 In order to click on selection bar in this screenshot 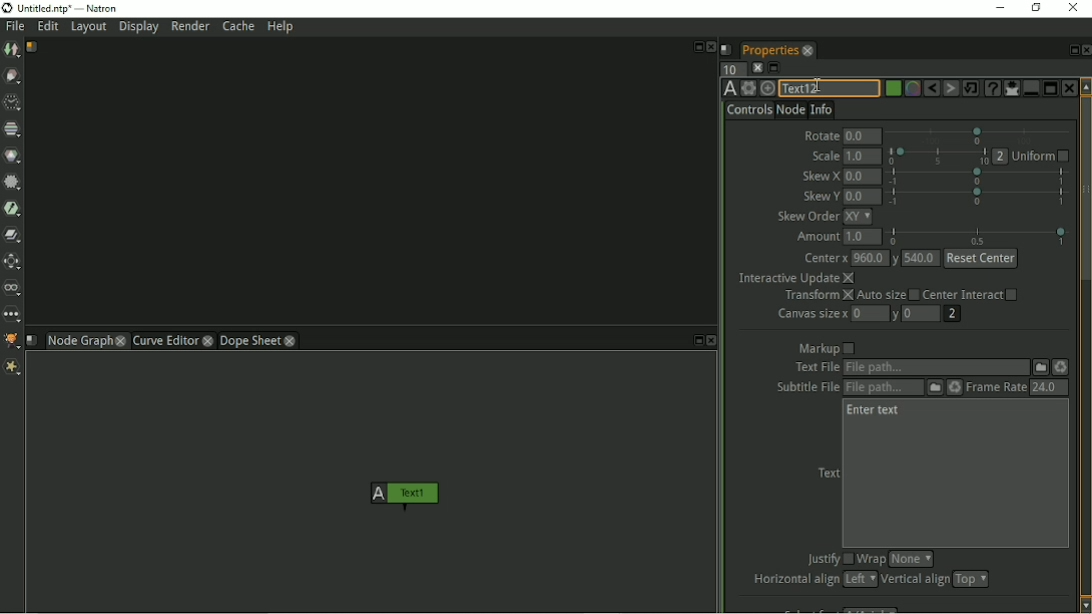, I will do `click(979, 135)`.